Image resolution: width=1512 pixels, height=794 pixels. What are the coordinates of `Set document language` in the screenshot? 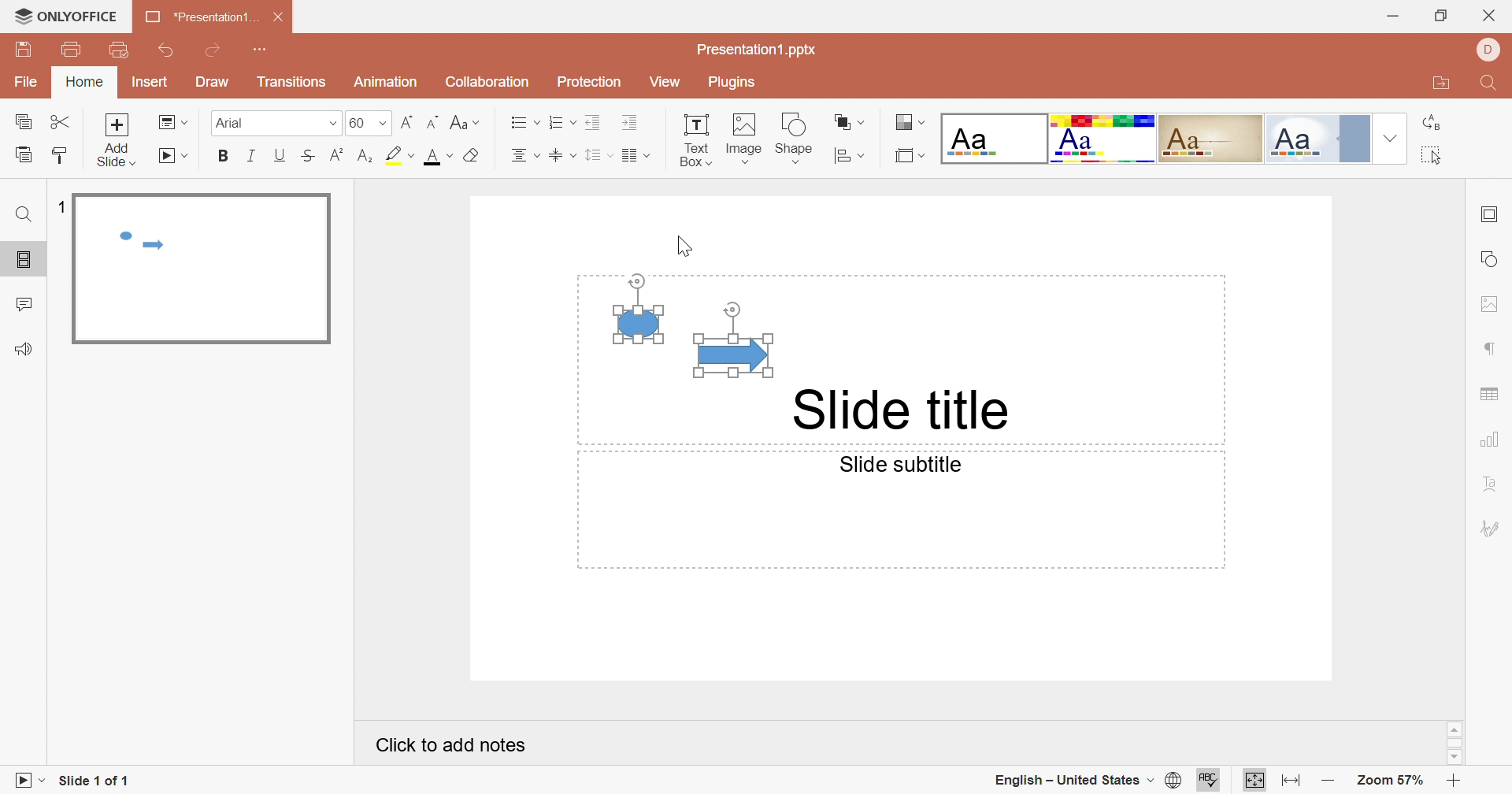 It's located at (1173, 782).